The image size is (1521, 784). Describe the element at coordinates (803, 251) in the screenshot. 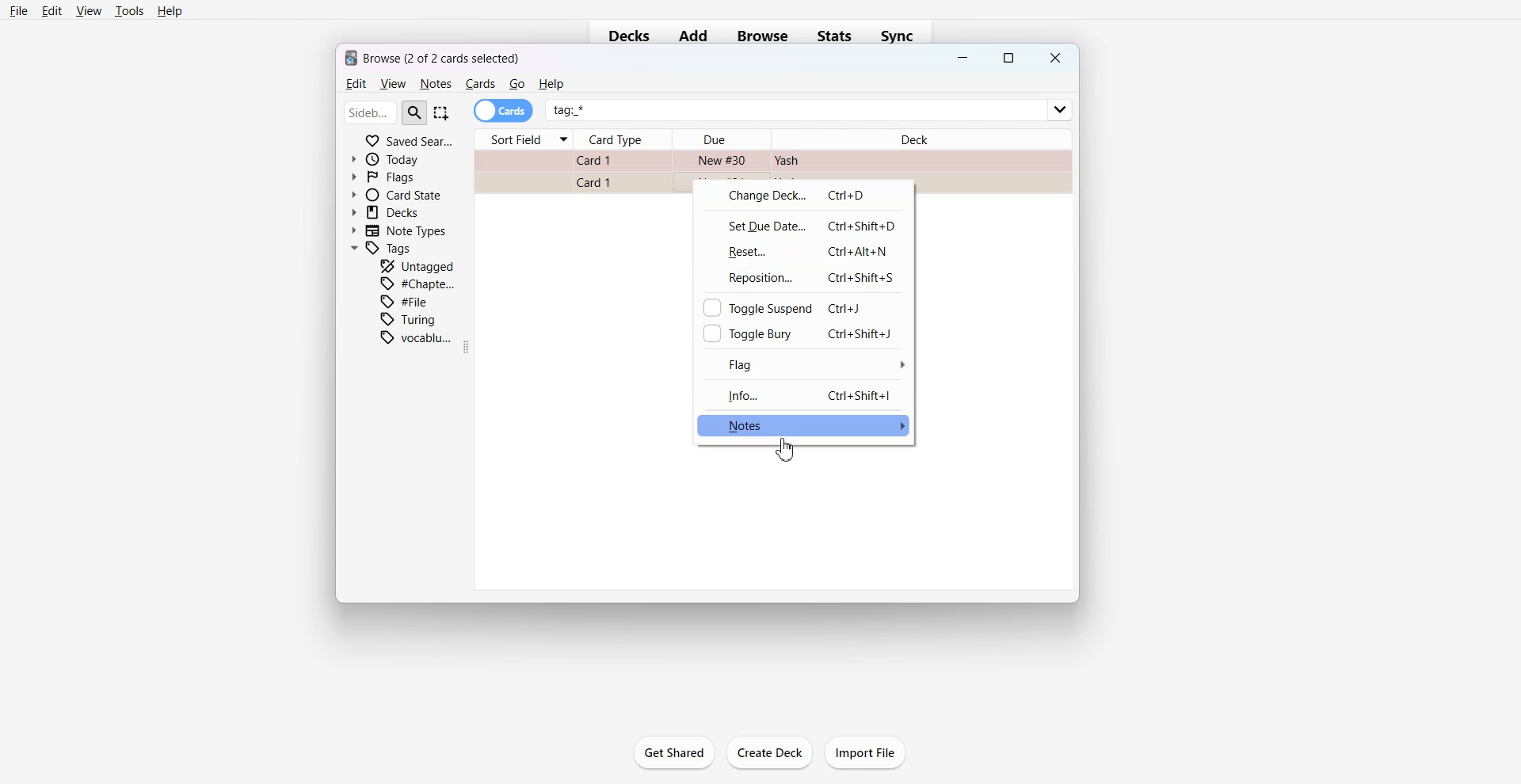

I see `Reset` at that location.